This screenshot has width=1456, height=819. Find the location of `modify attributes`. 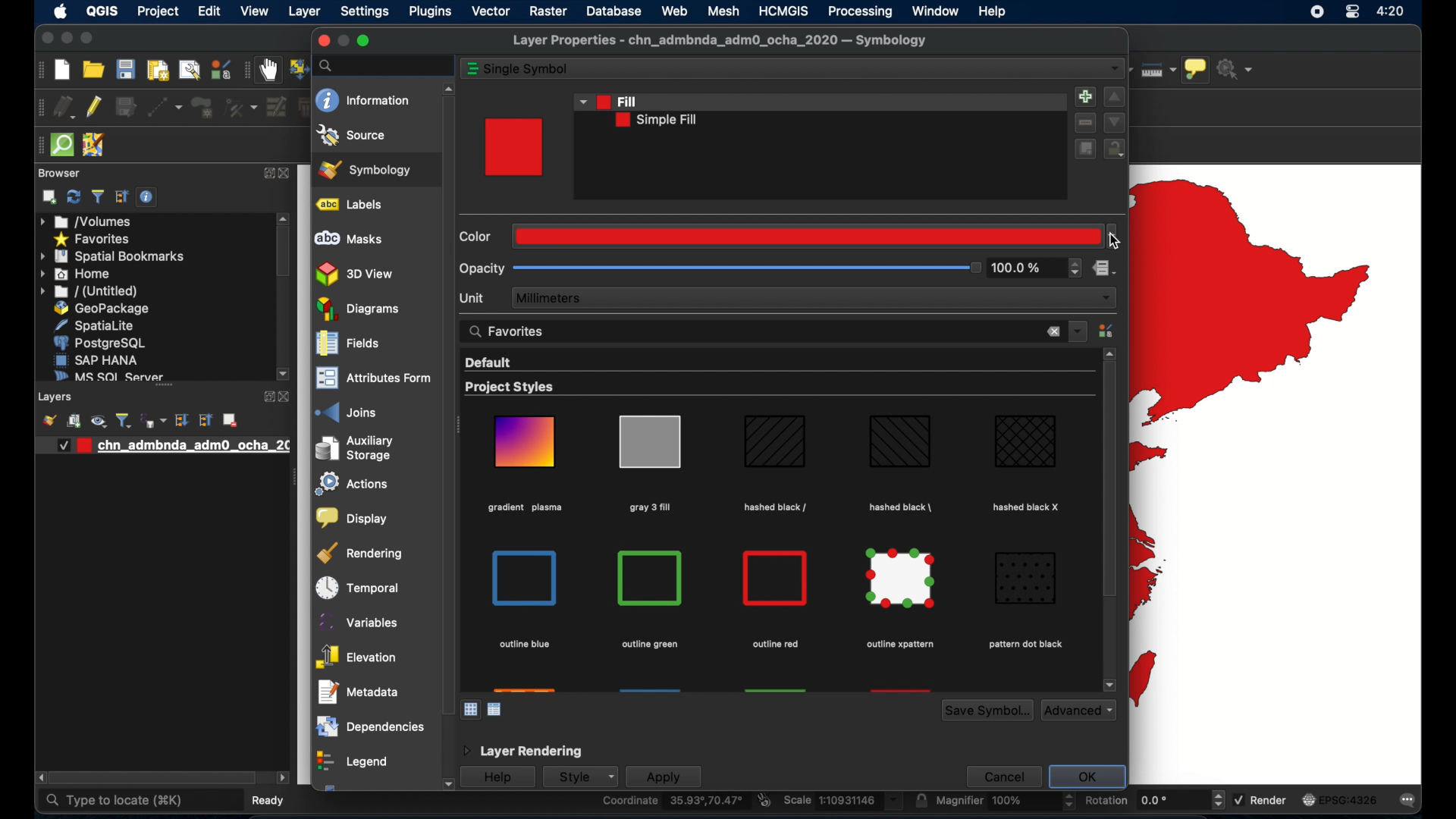

modify attributes is located at coordinates (275, 107).